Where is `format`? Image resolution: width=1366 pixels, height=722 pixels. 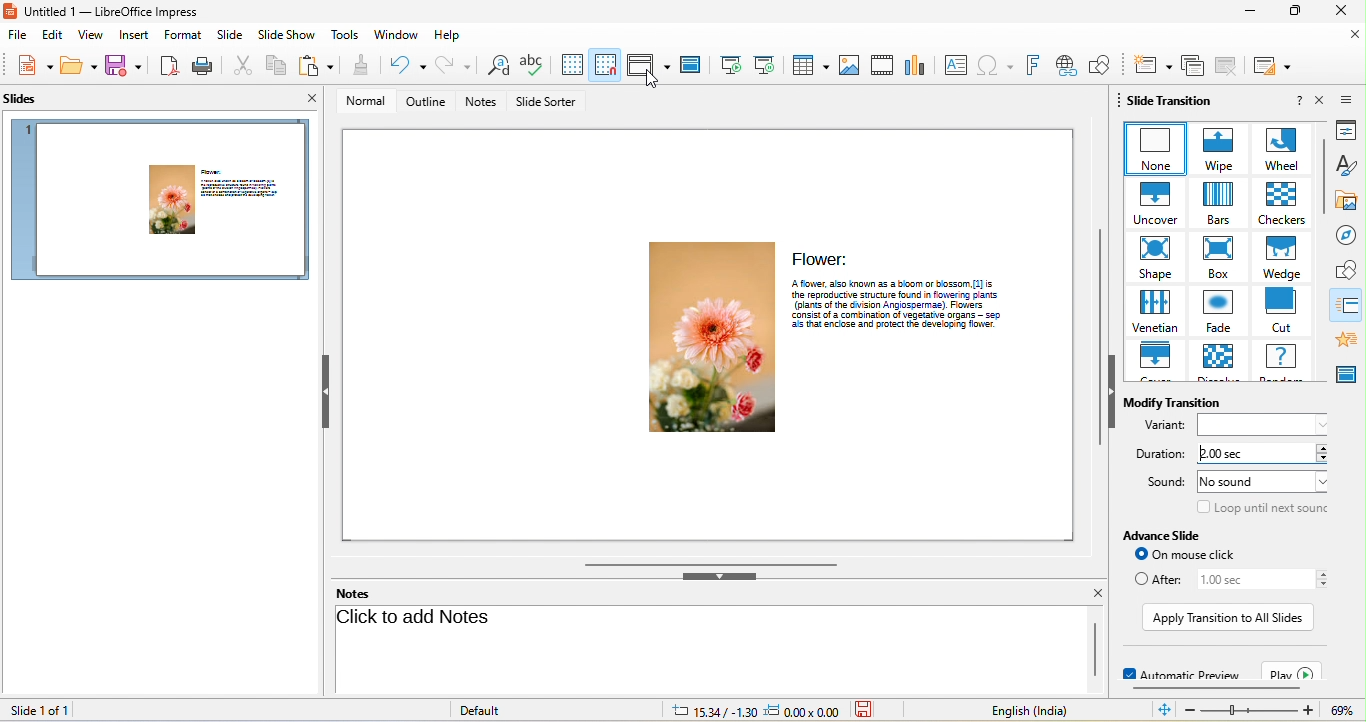 format is located at coordinates (185, 35).